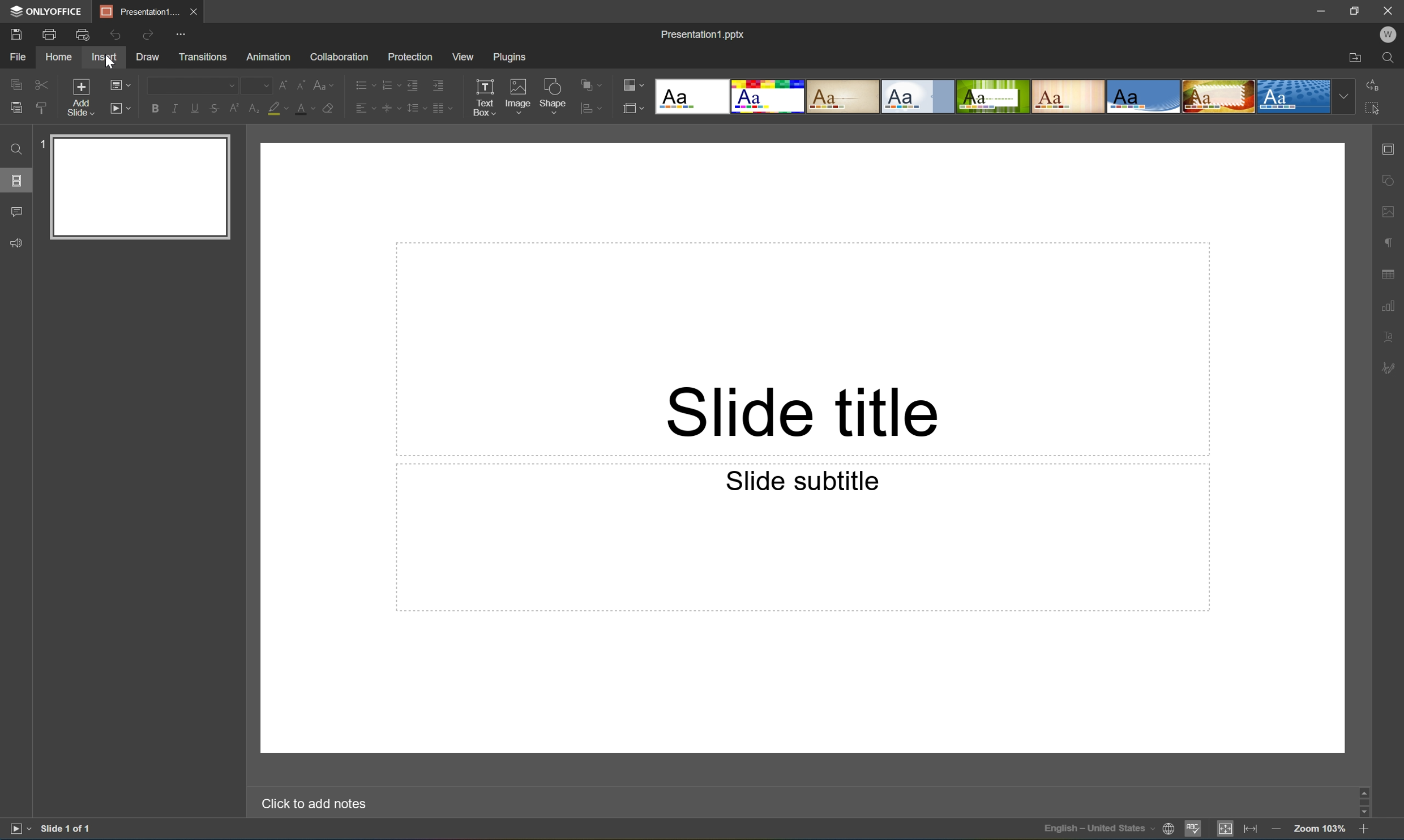  What do you see at coordinates (192, 12) in the screenshot?
I see `Close` at bounding box center [192, 12].